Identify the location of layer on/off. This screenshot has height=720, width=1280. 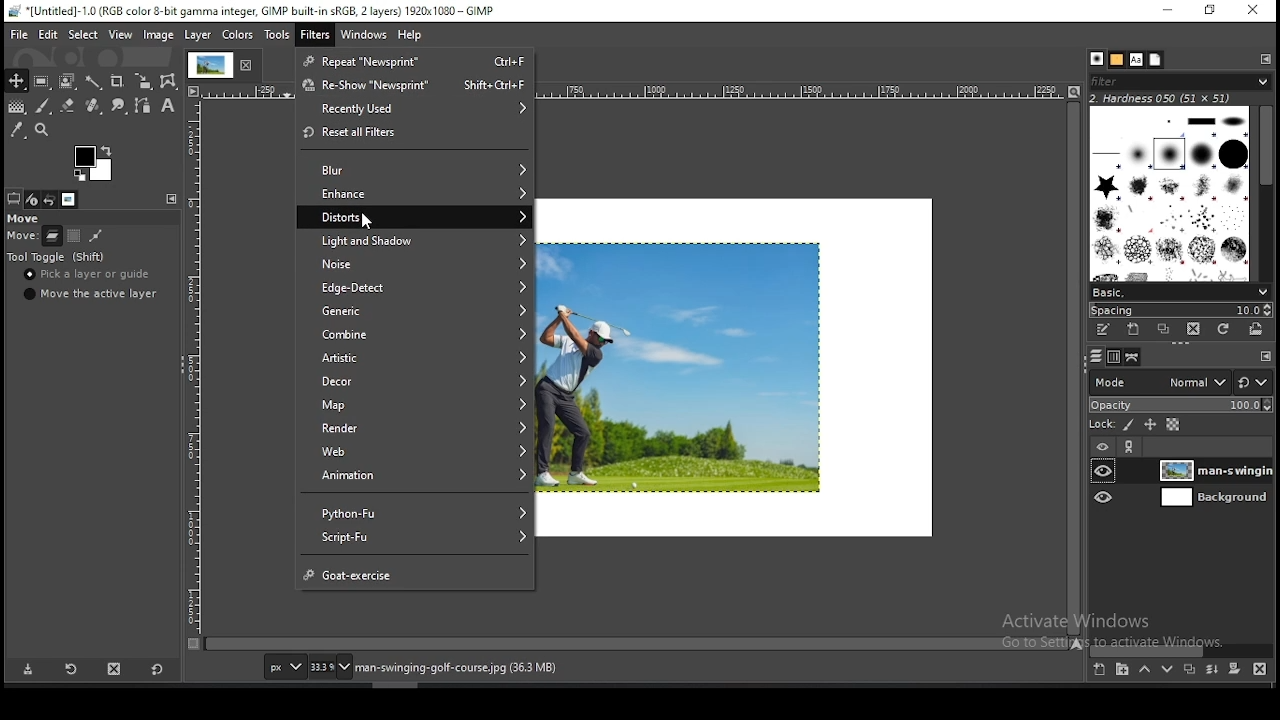
(1103, 445).